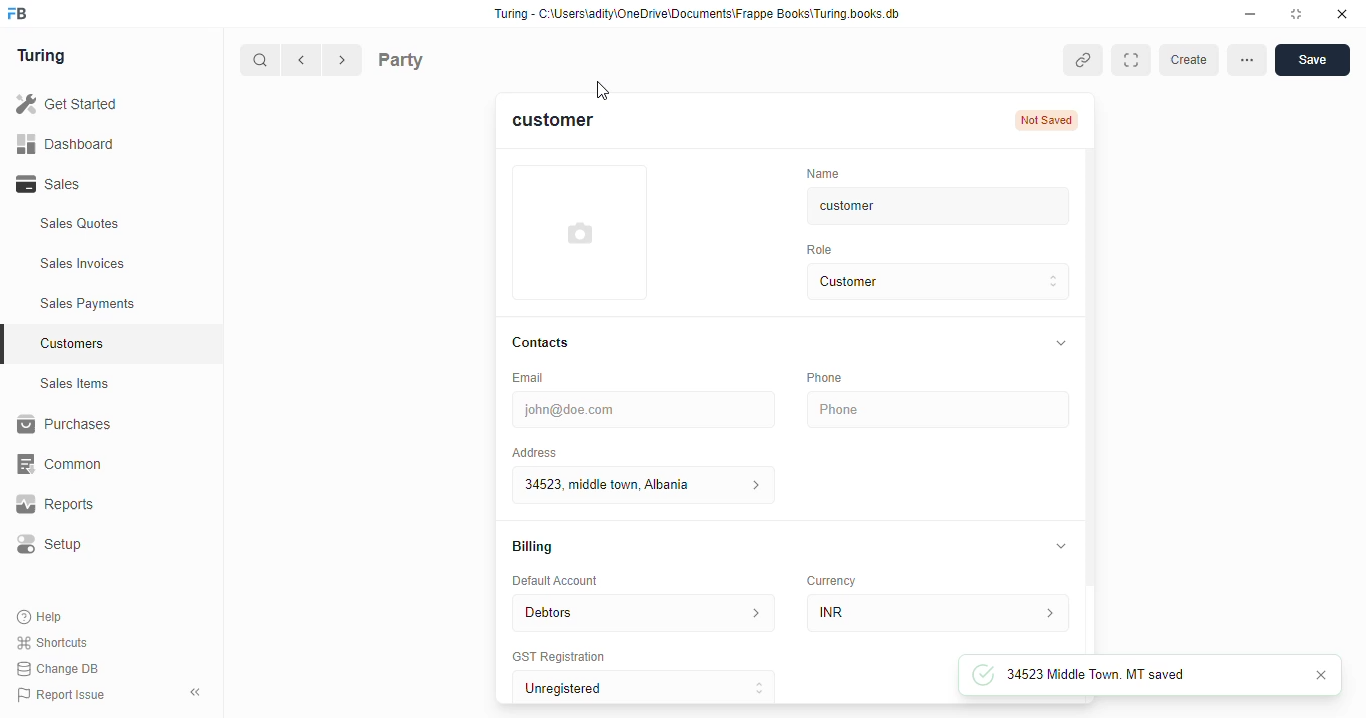  Describe the element at coordinates (100, 464) in the screenshot. I see `‘Common` at that location.